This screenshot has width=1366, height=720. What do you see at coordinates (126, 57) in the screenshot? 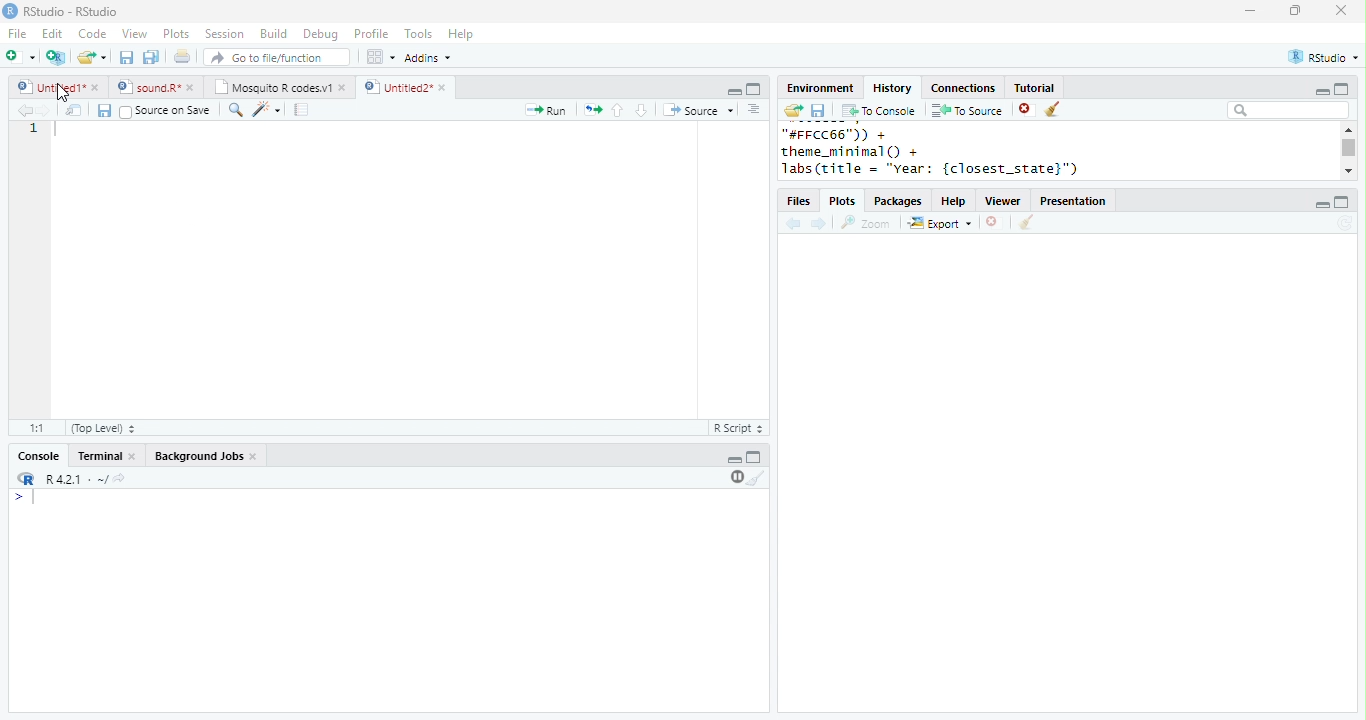
I see `save` at bounding box center [126, 57].